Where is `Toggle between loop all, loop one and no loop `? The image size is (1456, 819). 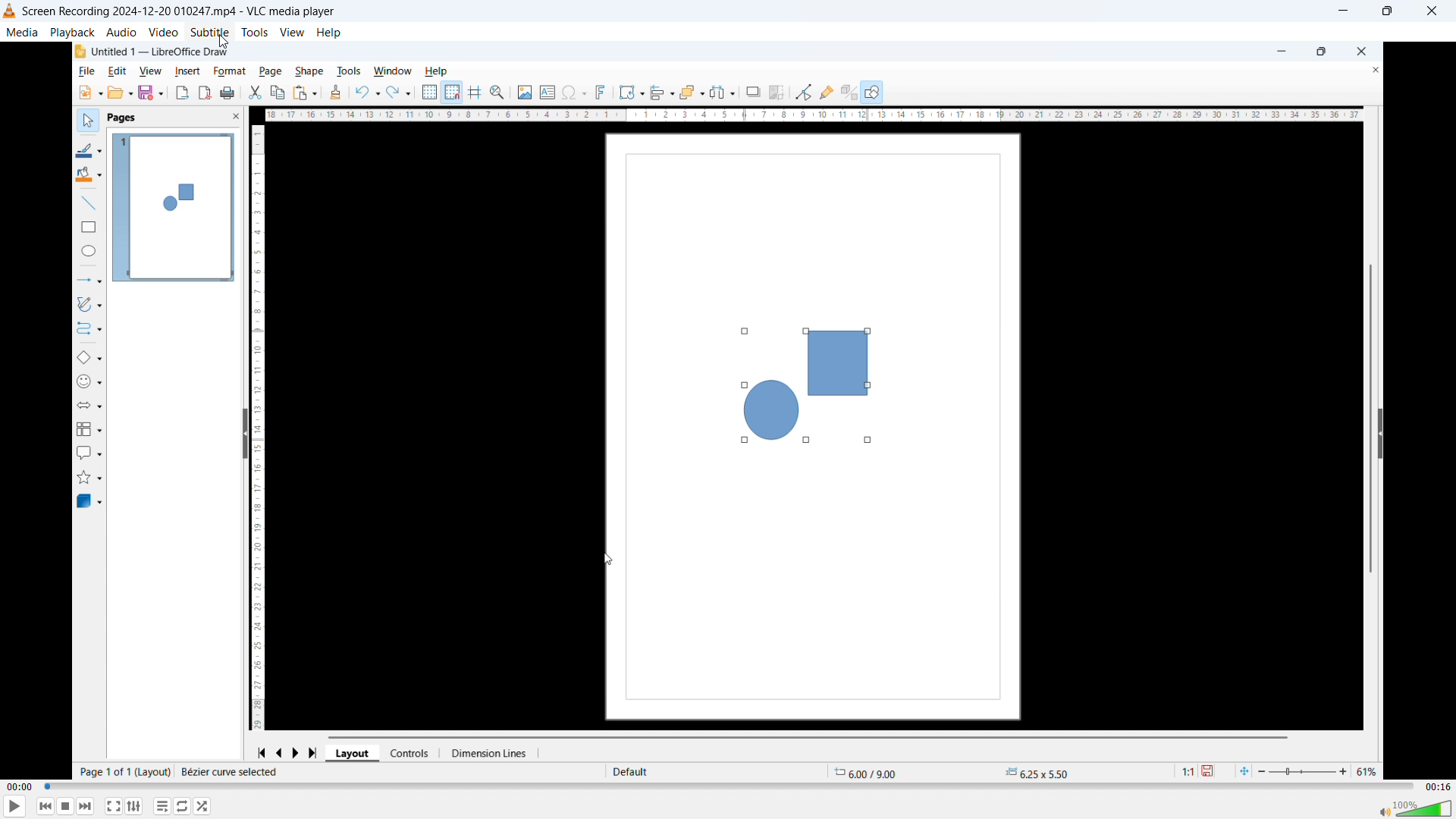 Toggle between loop all, loop one and no loop  is located at coordinates (184, 806).